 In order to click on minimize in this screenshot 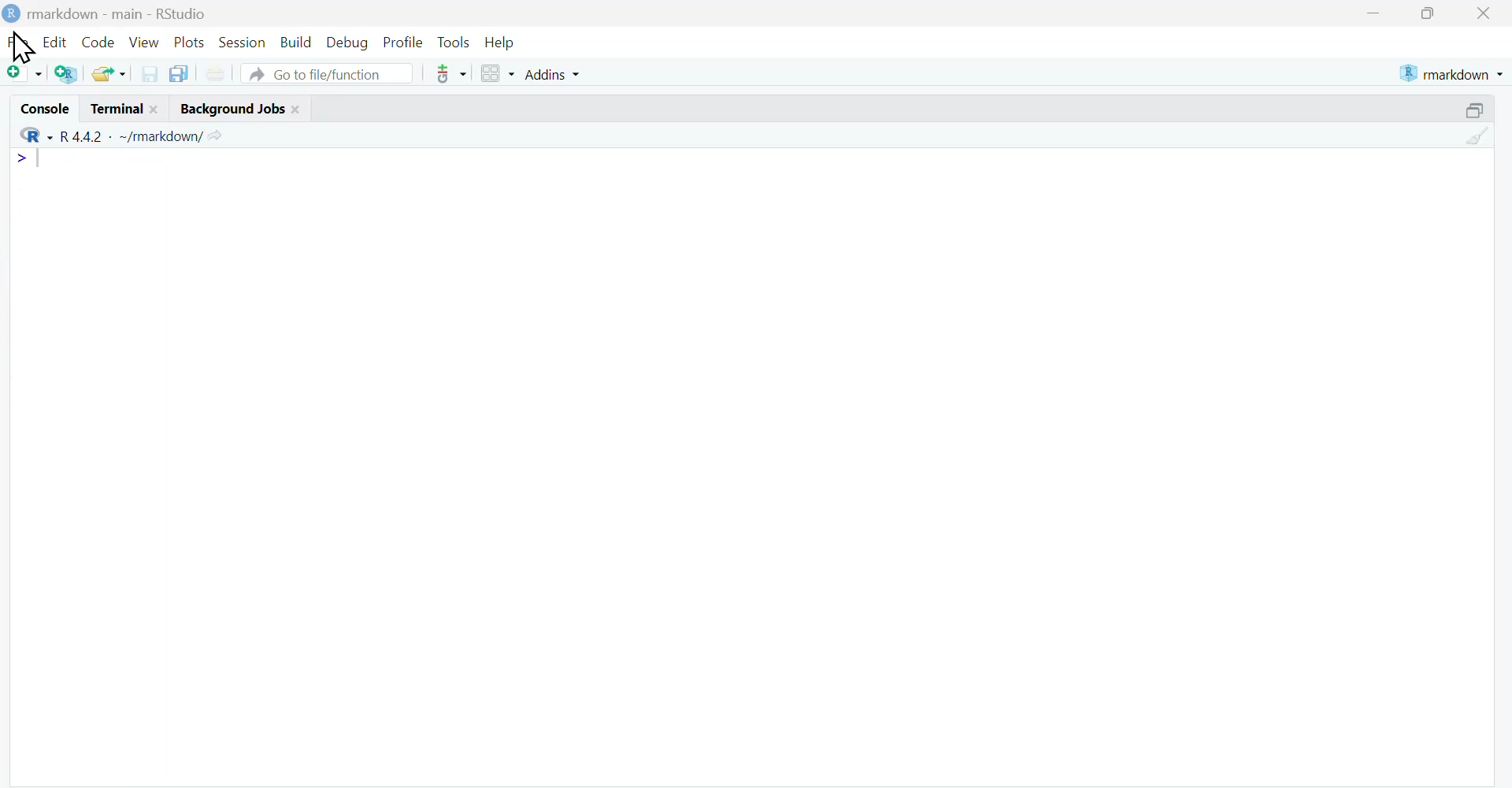, I will do `click(1373, 13)`.